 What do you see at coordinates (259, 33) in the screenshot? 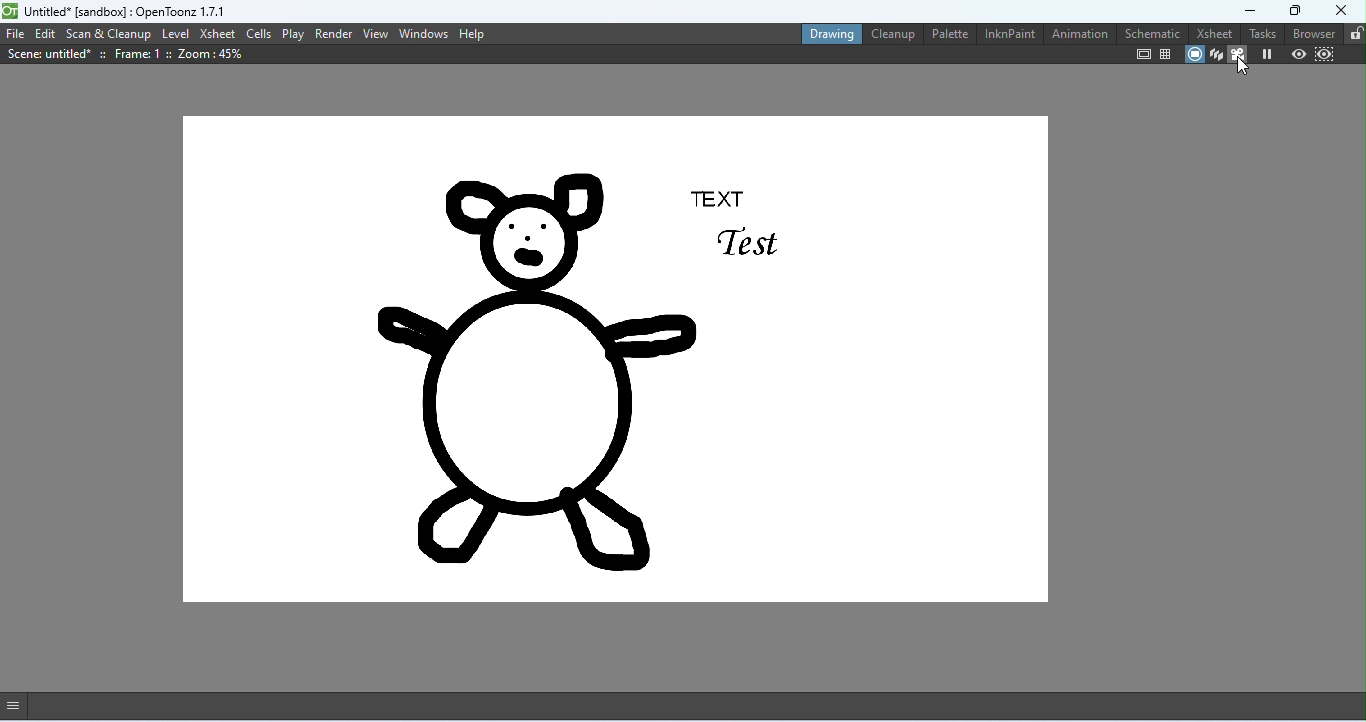
I see `cells` at bounding box center [259, 33].